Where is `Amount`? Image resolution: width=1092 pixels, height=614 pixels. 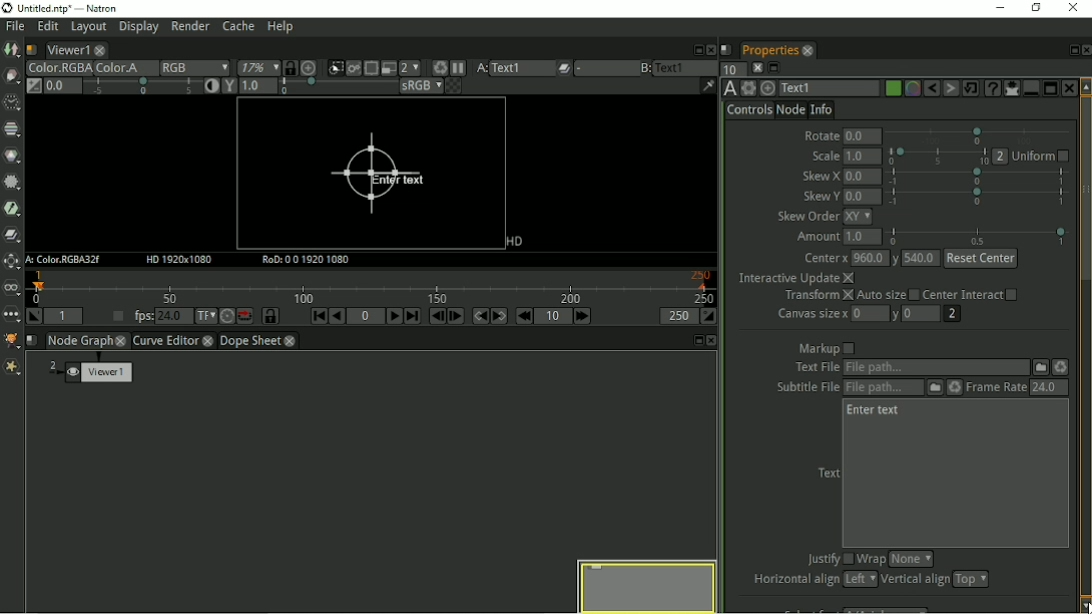 Amount is located at coordinates (815, 237).